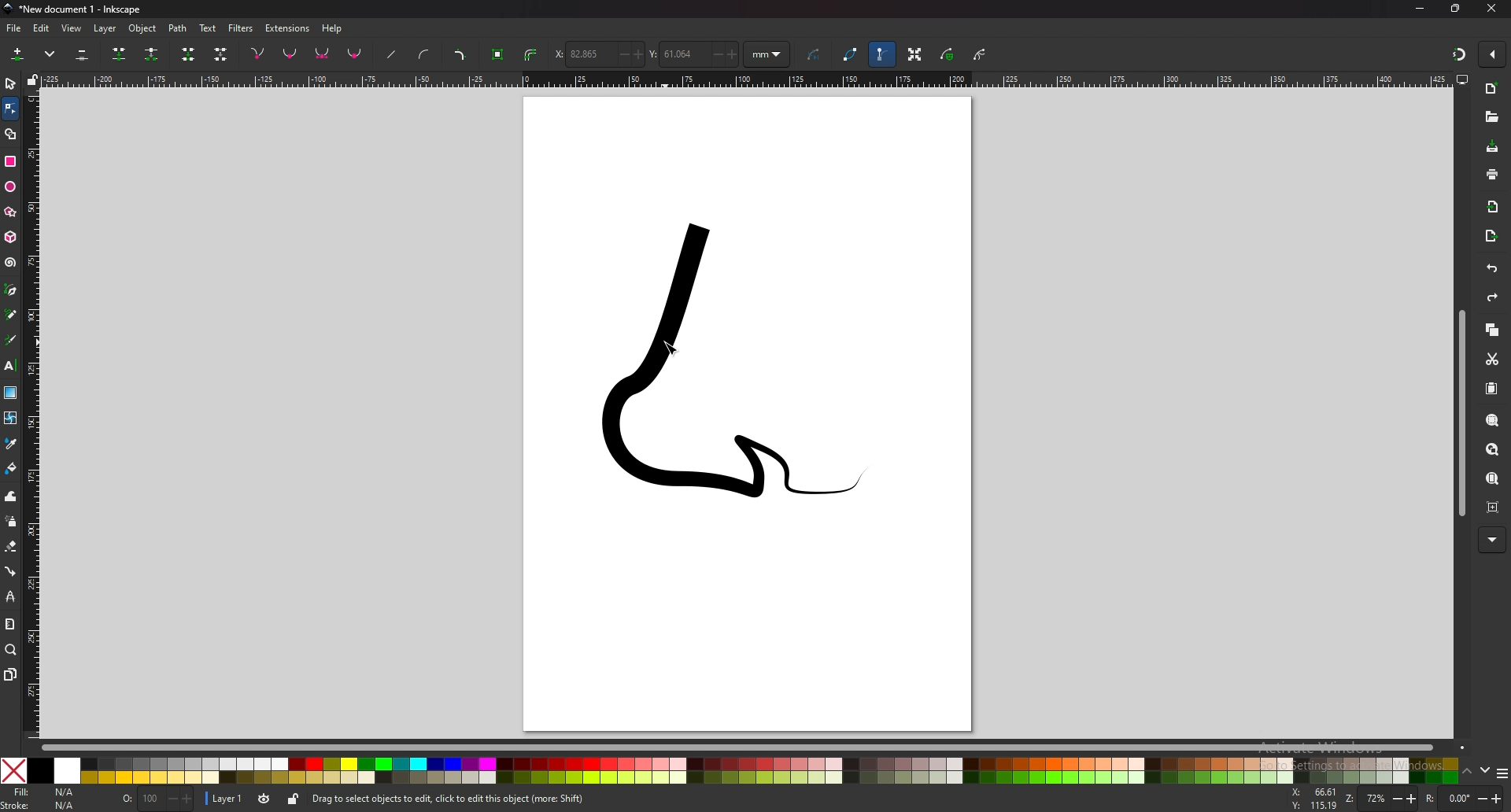  Describe the element at coordinates (1492, 507) in the screenshot. I see `zoom center page` at that location.